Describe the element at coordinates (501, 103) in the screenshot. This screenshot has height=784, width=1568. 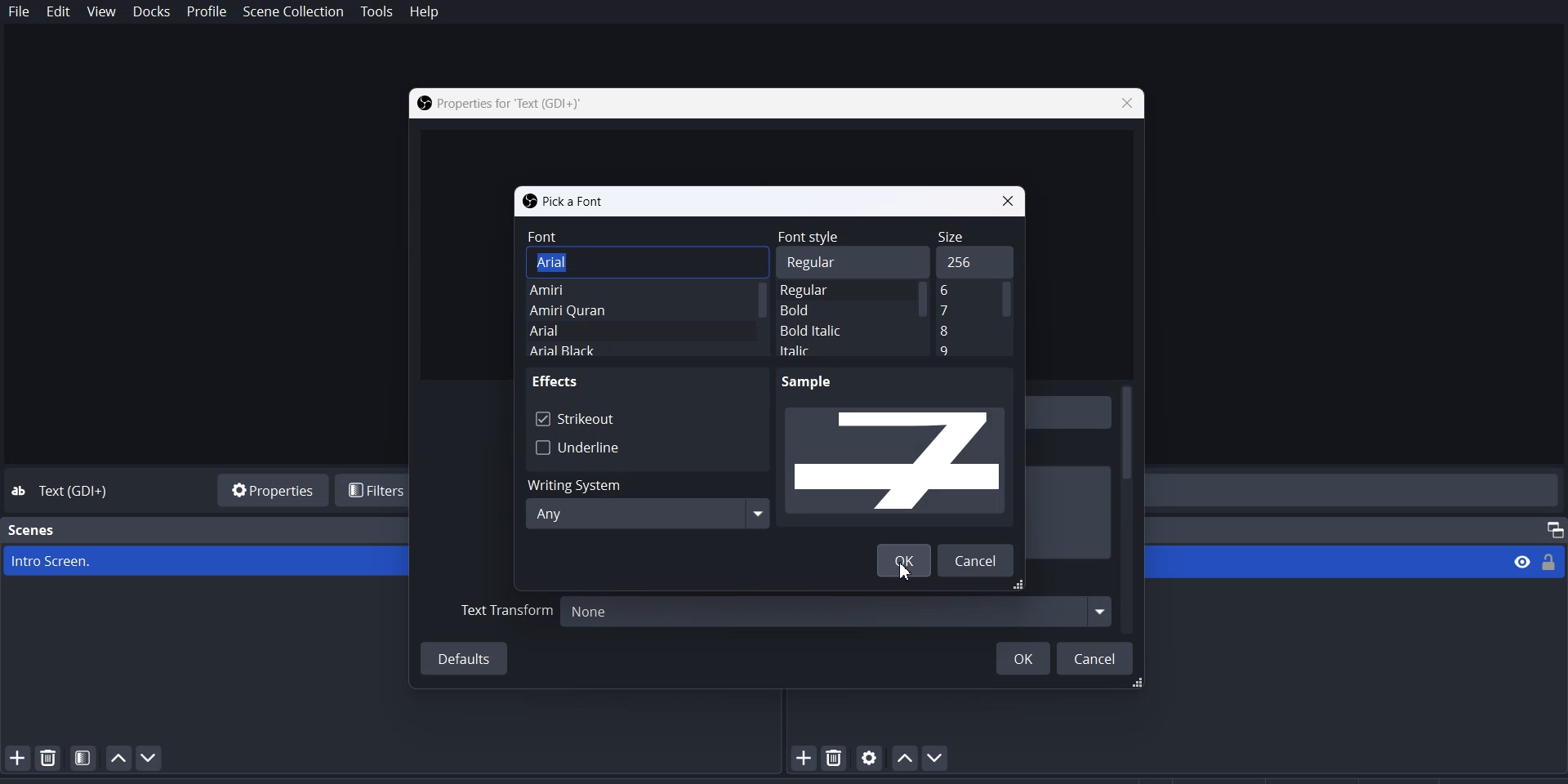
I see `Properties for Text (GDI+)` at that location.